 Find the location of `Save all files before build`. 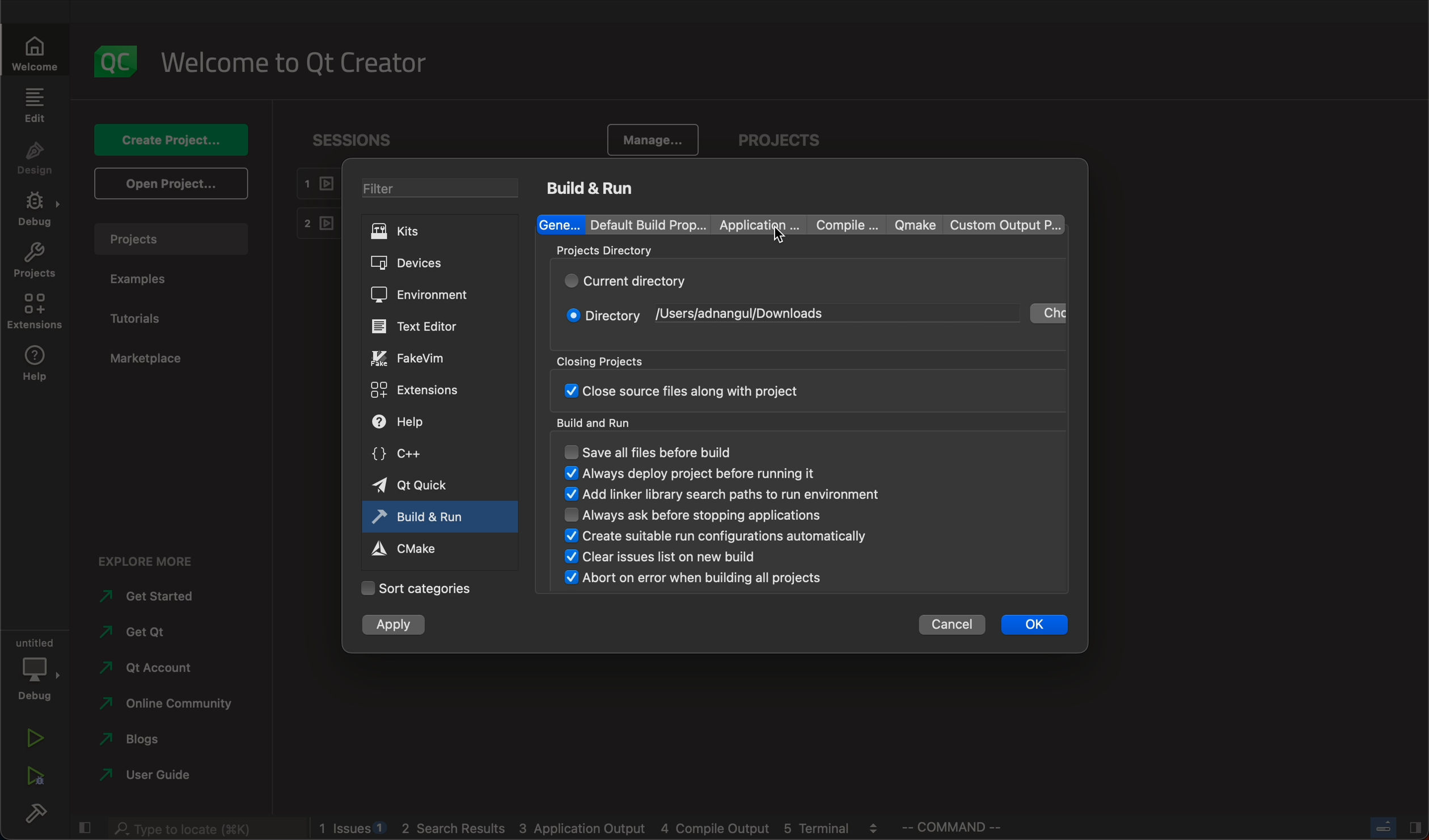

Save all files before build is located at coordinates (666, 451).